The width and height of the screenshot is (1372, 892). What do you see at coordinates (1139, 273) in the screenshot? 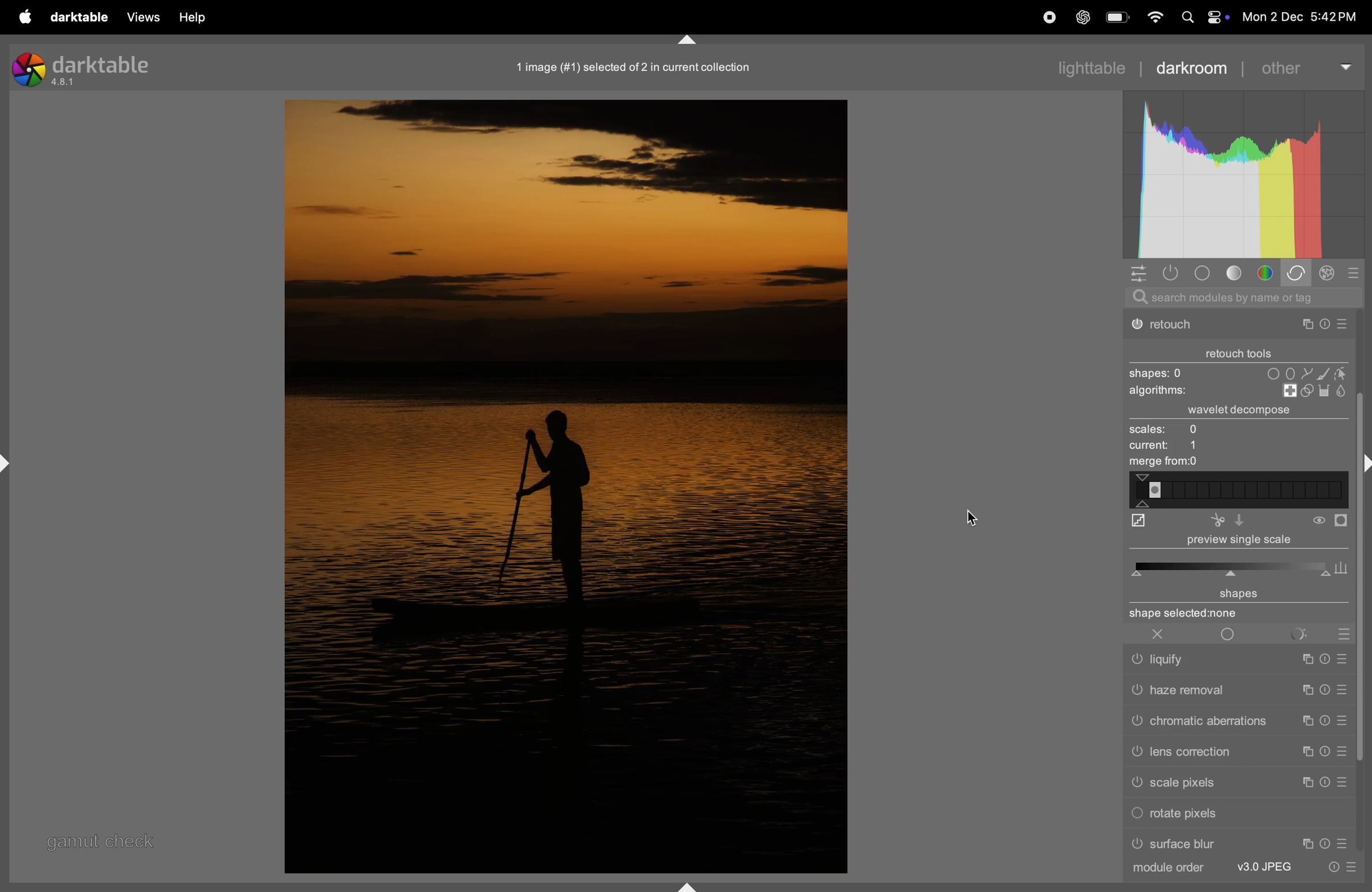
I see `access to all modules` at bounding box center [1139, 273].